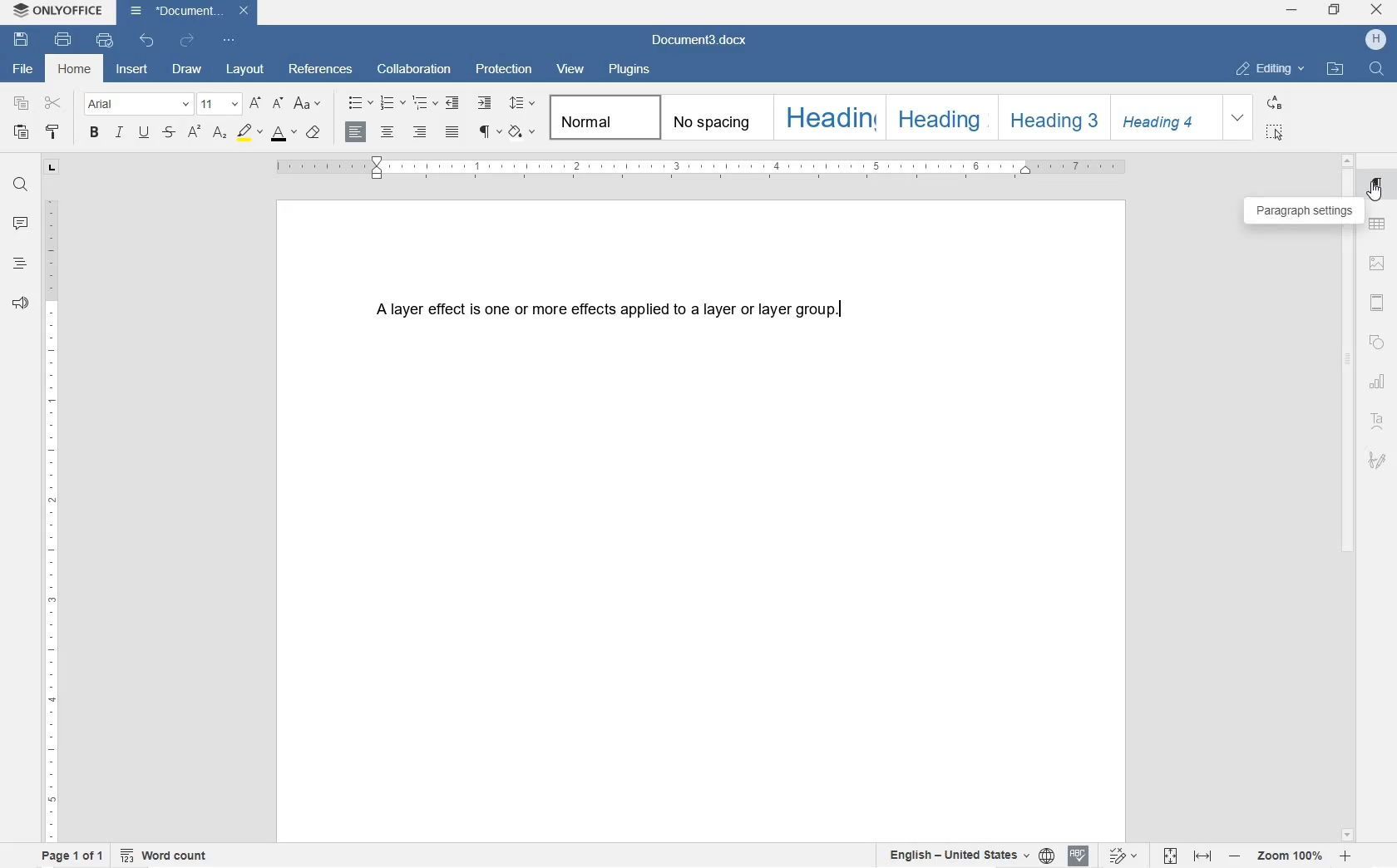  I want to click on TRACK CHANGES, so click(1127, 853).